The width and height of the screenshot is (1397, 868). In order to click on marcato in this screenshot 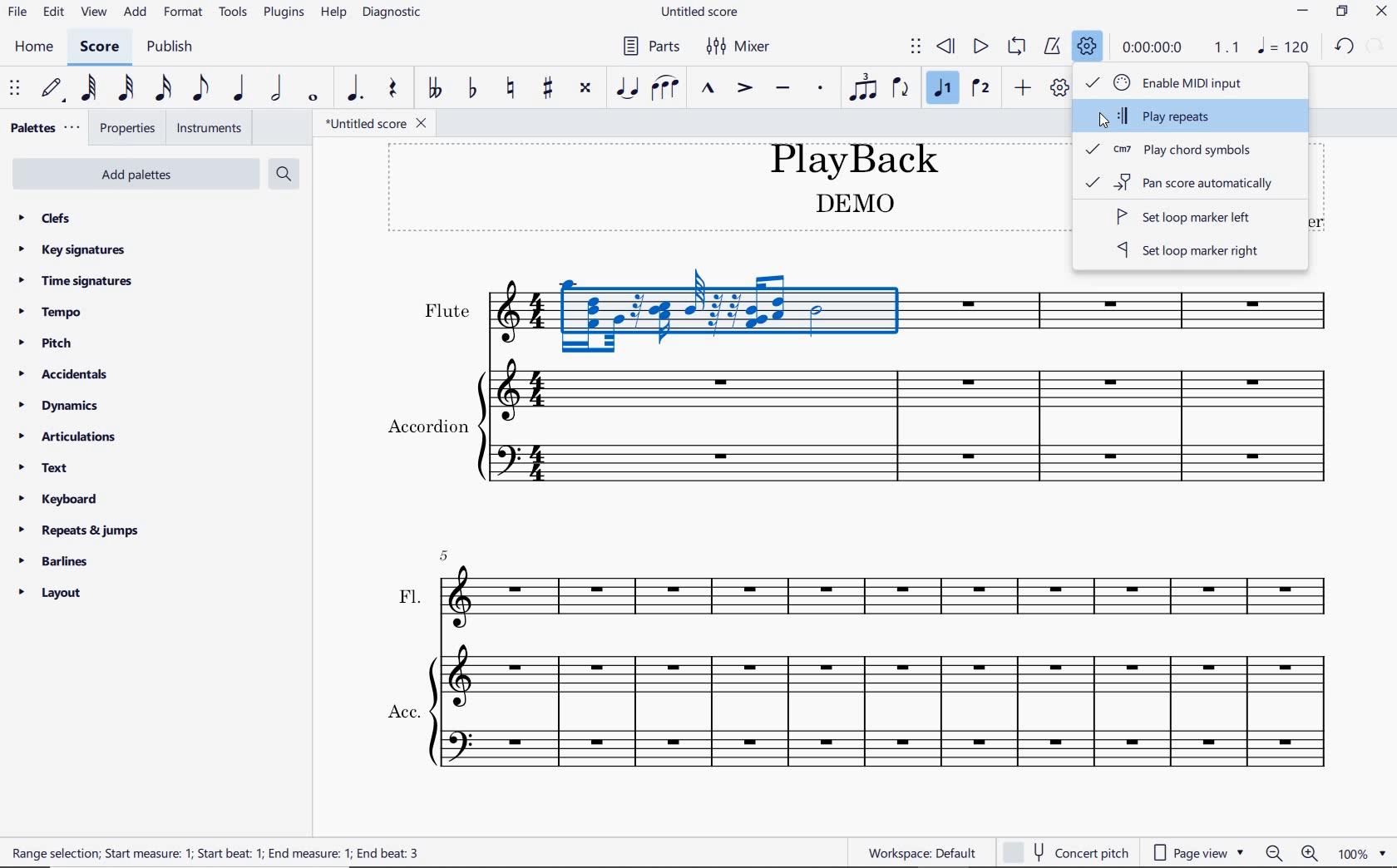, I will do `click(708, 89)`.